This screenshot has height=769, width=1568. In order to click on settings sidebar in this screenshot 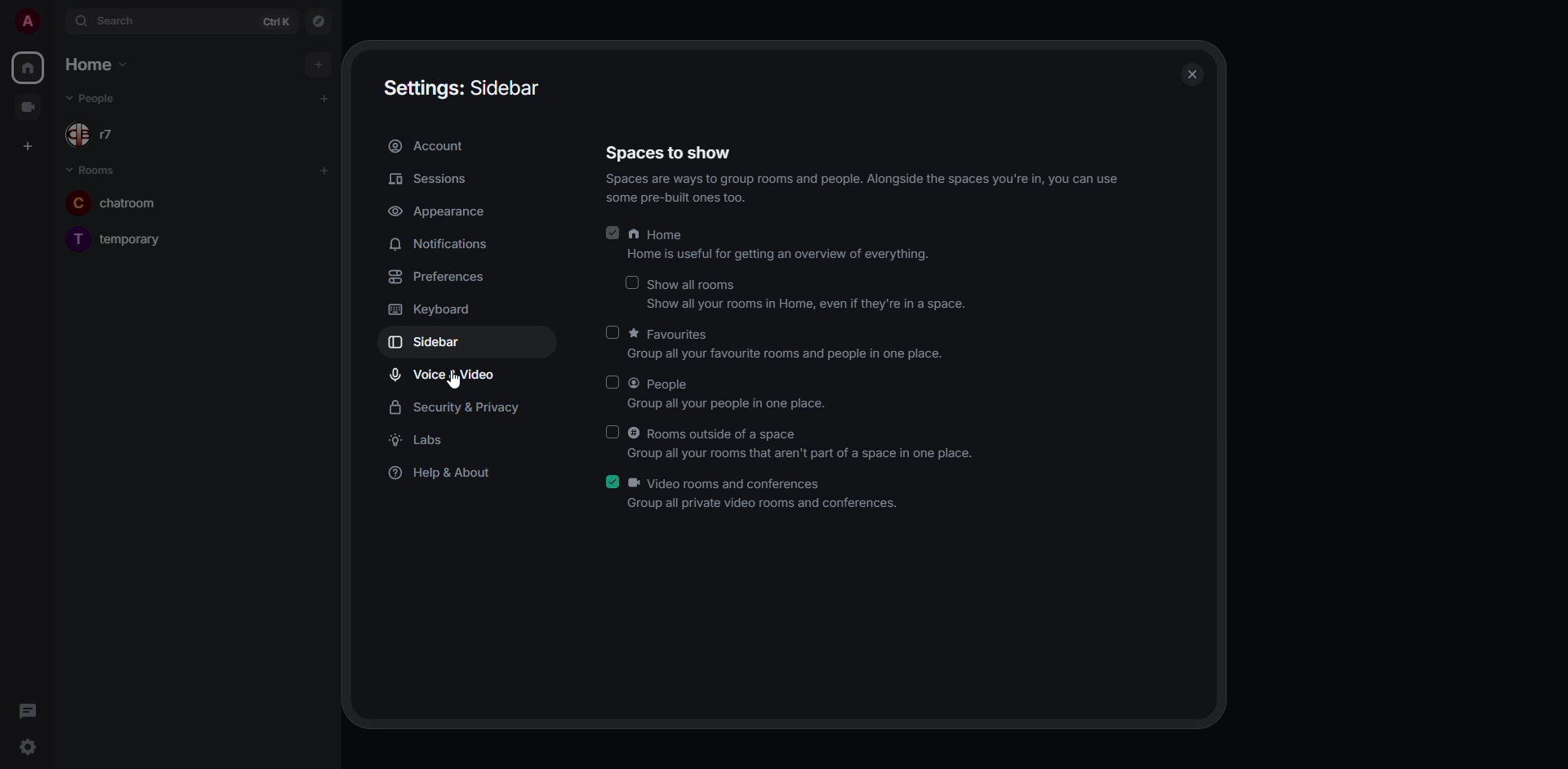, I will do `click(475, 85)`.